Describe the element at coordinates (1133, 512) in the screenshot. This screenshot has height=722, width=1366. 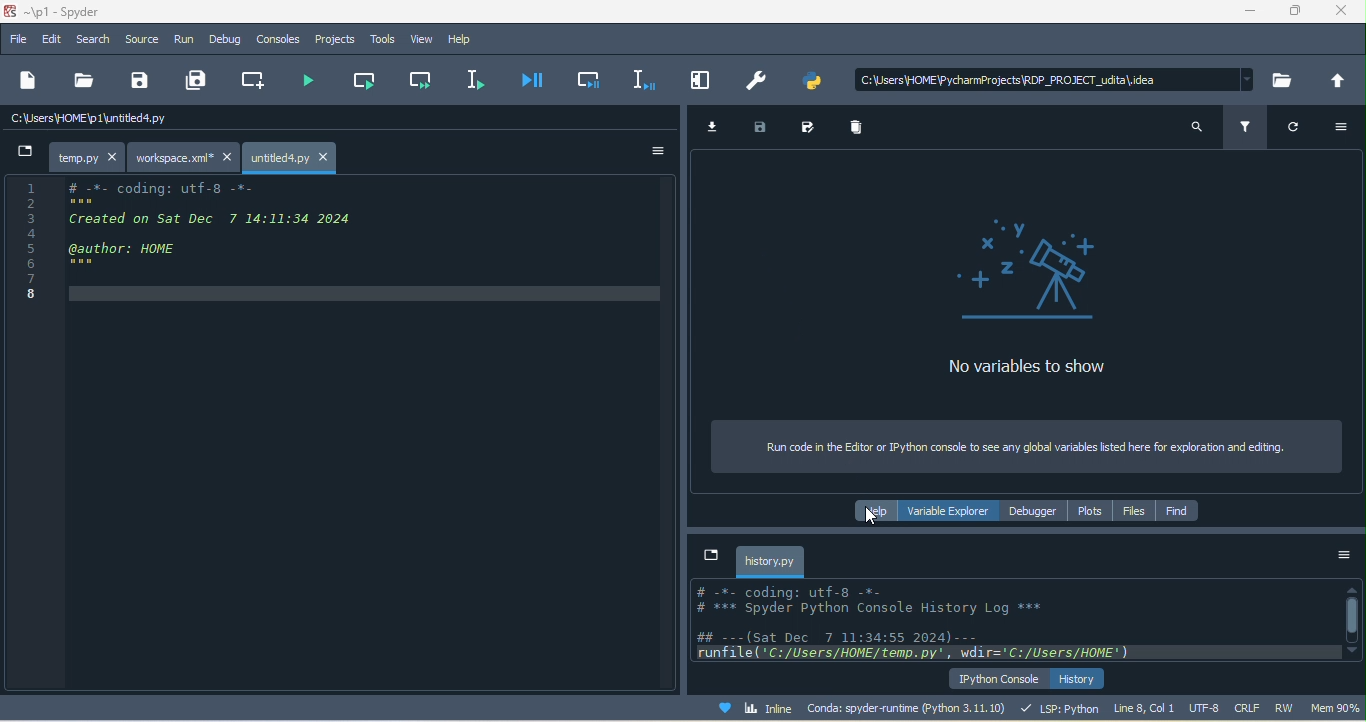
I see `files` at that location.